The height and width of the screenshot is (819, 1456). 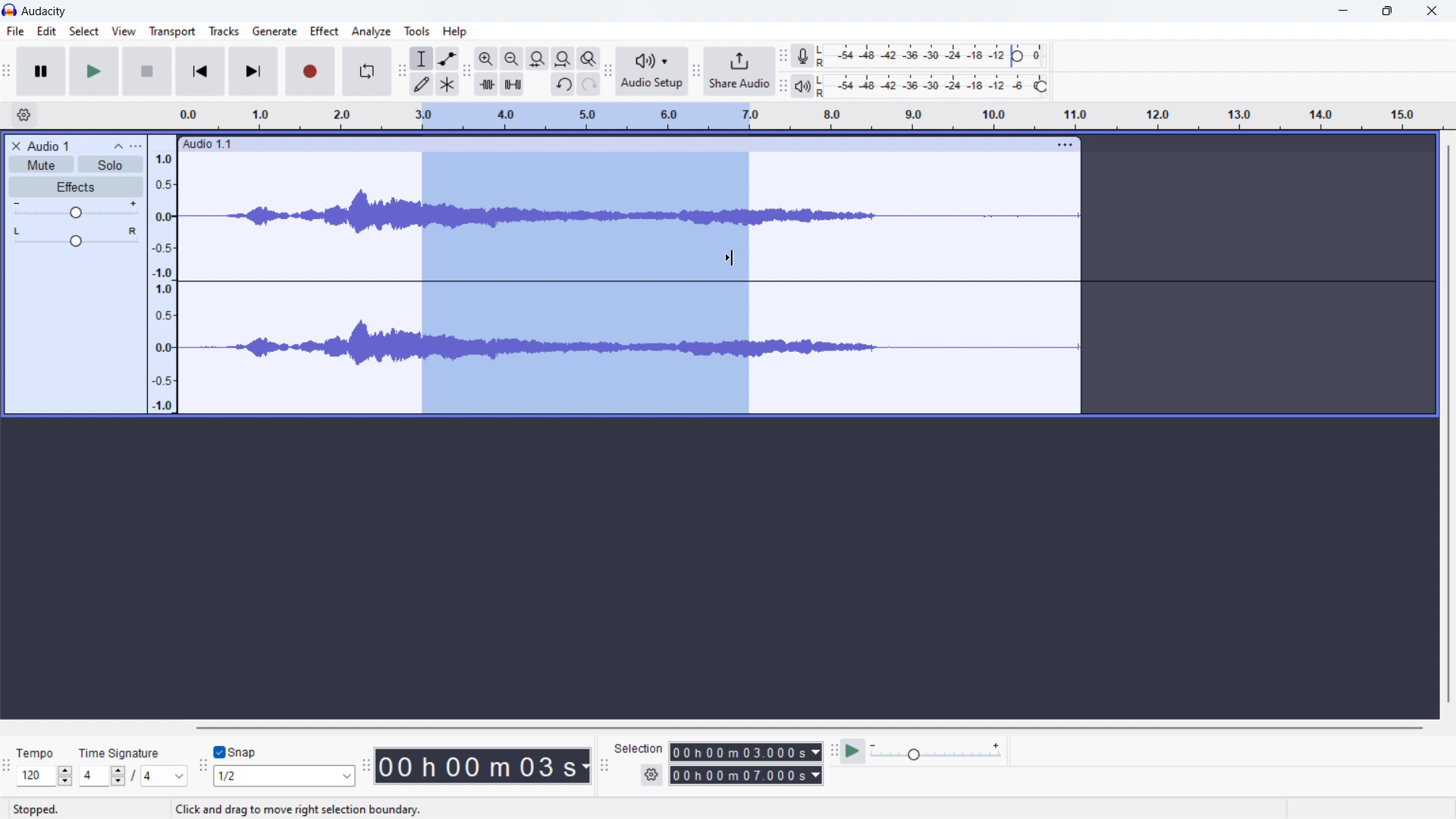 I want to click on playback level, so click(x=935, y=86).